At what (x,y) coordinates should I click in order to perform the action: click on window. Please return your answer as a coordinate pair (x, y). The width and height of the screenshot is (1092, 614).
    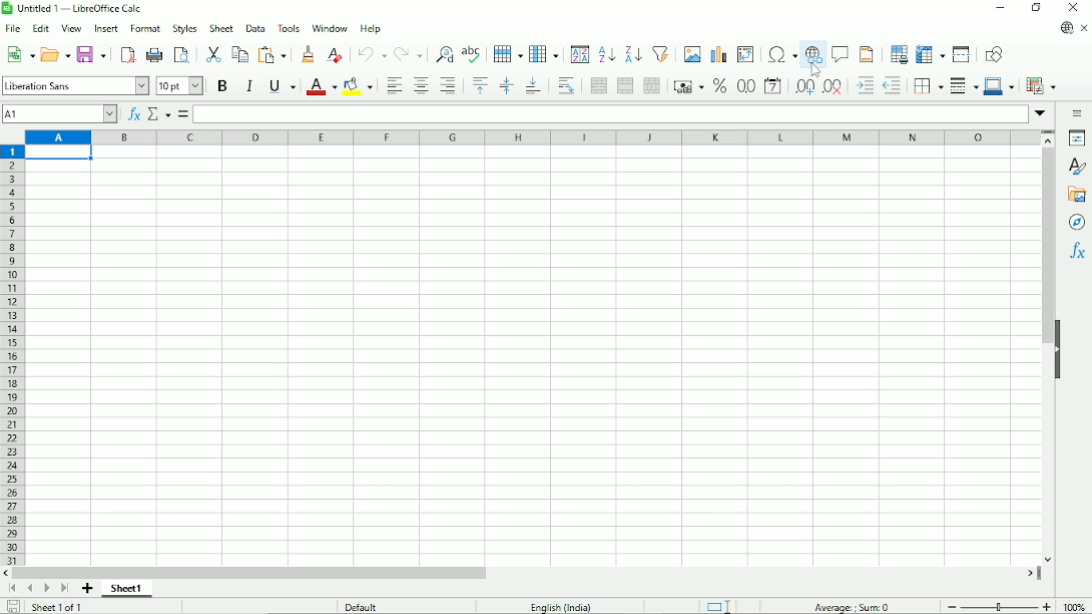
    Looking at the image, I should click on (330, 29).